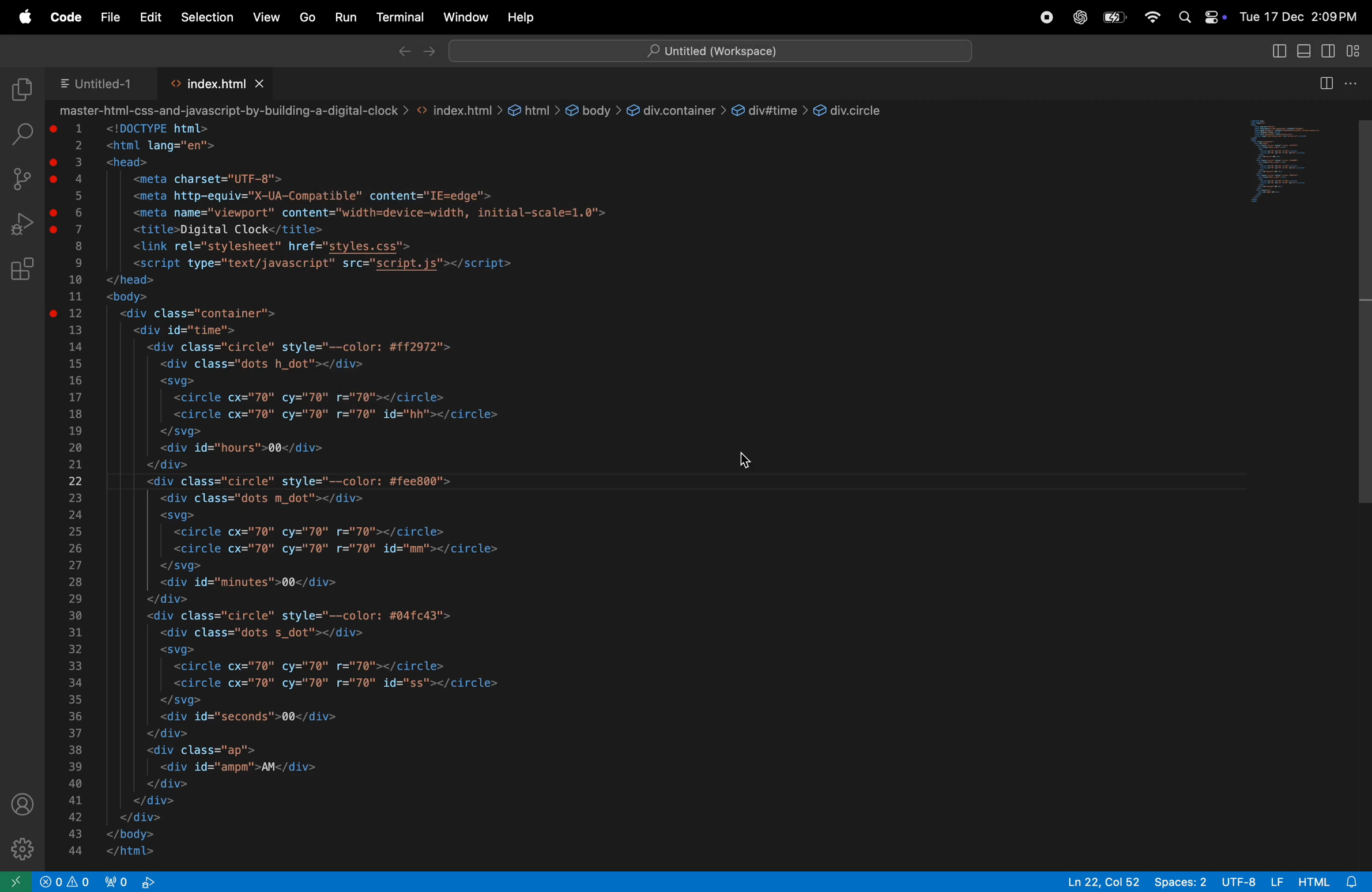 The image size is (1372, 892). What do you see at coordinates (522, 17) in the screenshot?
I see `help` at bounding box center [522, 17].